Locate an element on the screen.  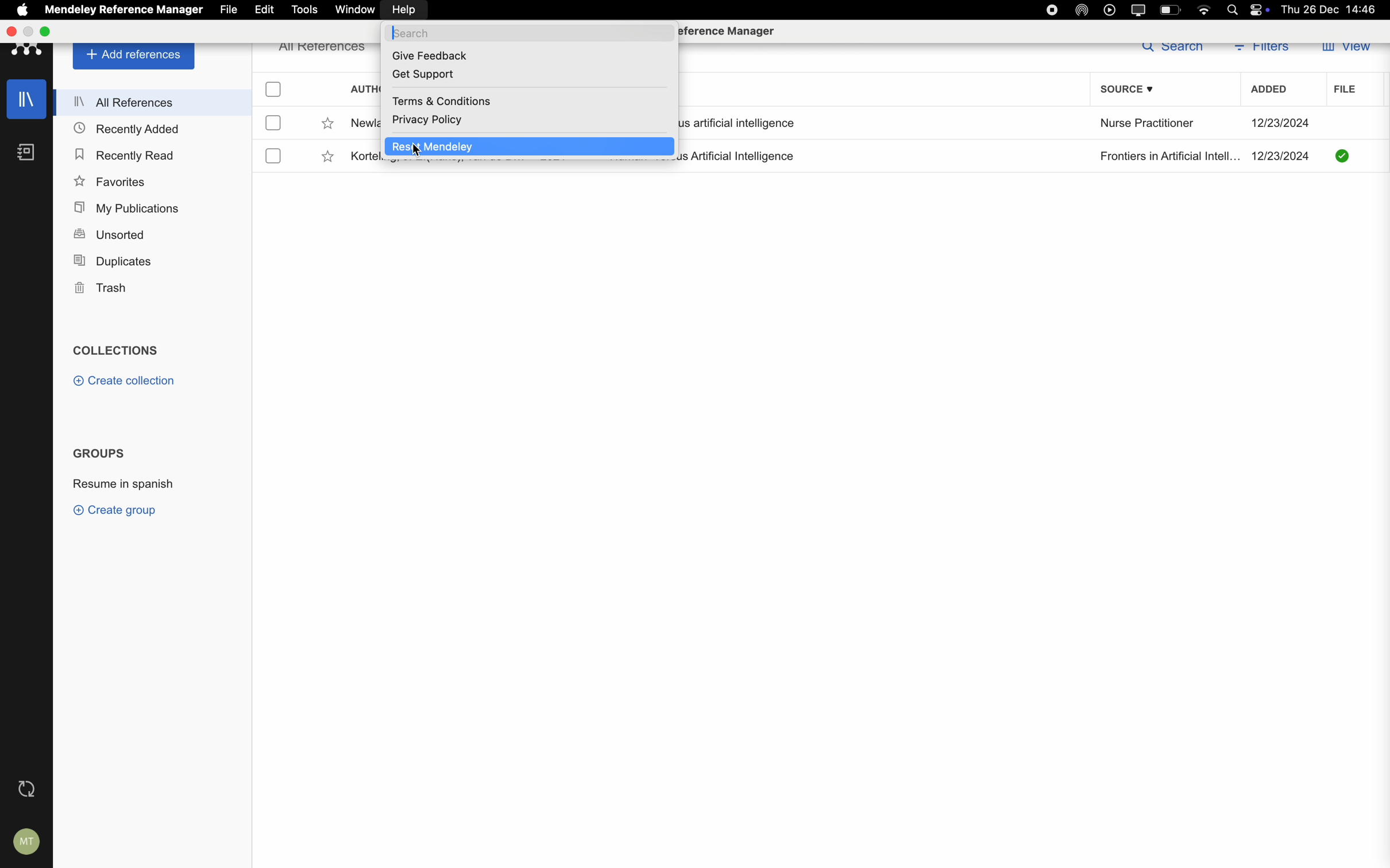
checkbox is located at coordinates (275, 123).